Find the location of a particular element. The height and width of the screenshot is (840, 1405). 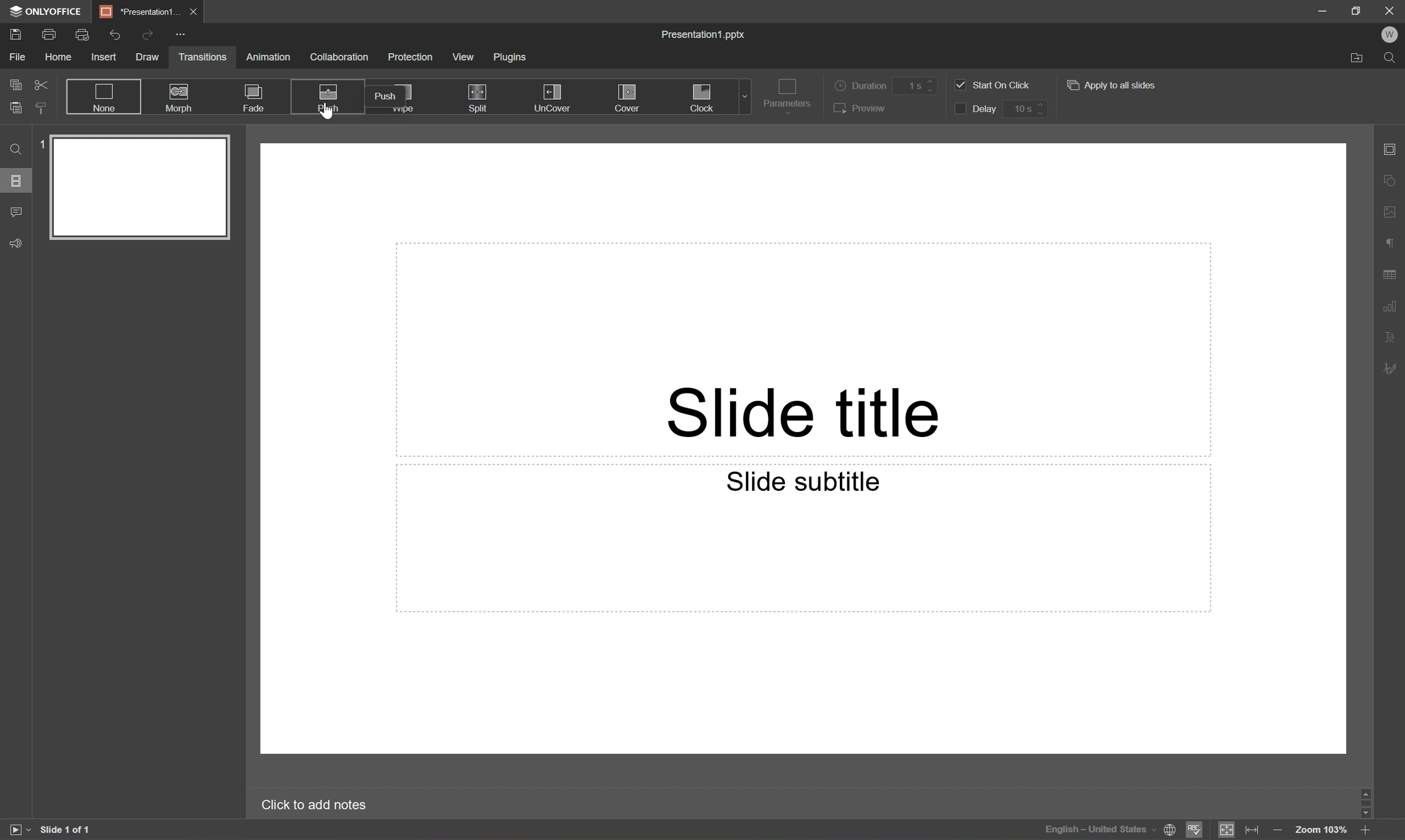

Duration is located at coordinates (860, 84).